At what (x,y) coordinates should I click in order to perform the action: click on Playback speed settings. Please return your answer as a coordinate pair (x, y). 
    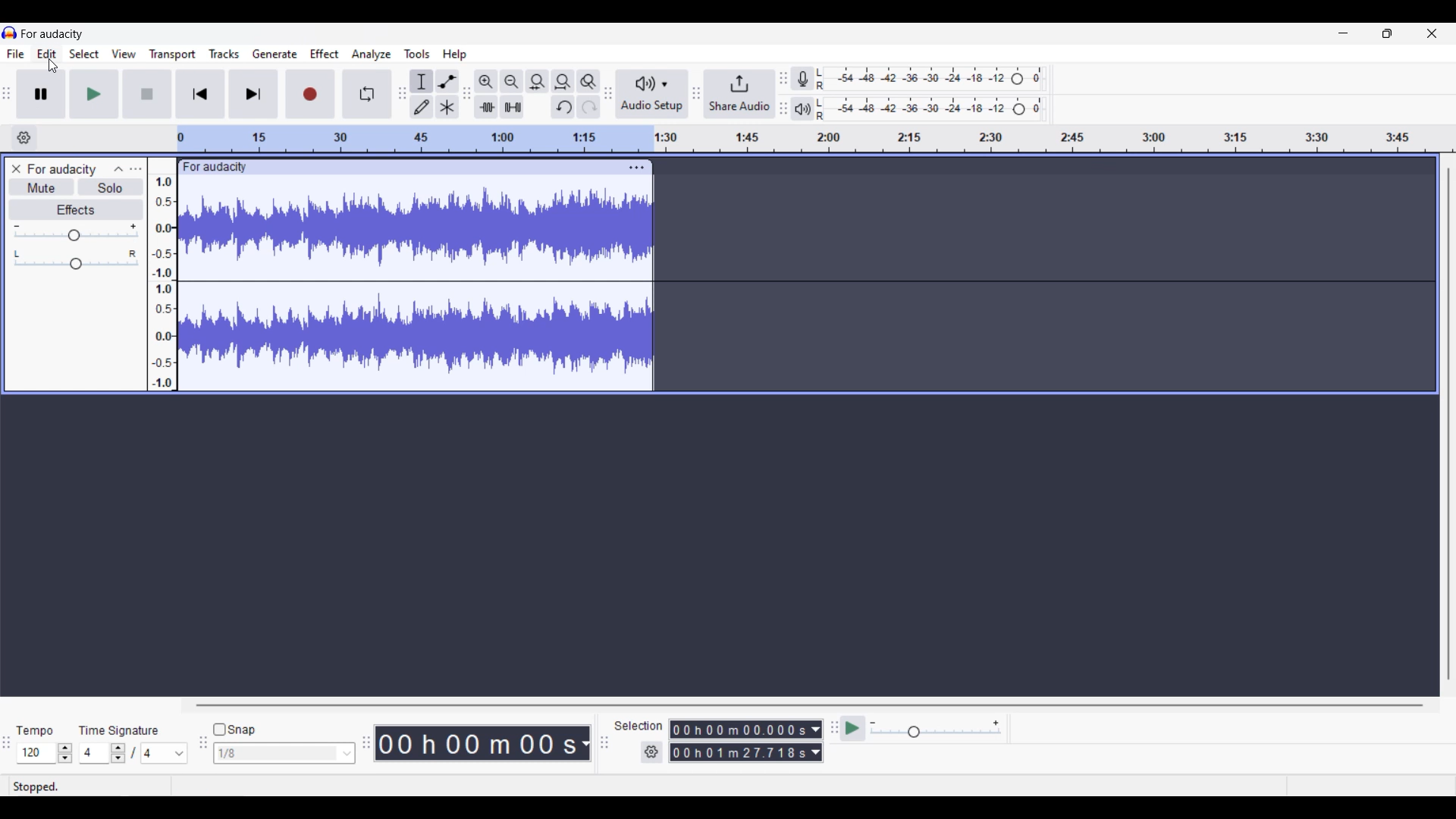
    Looking at the image, I should click on (937, 728).